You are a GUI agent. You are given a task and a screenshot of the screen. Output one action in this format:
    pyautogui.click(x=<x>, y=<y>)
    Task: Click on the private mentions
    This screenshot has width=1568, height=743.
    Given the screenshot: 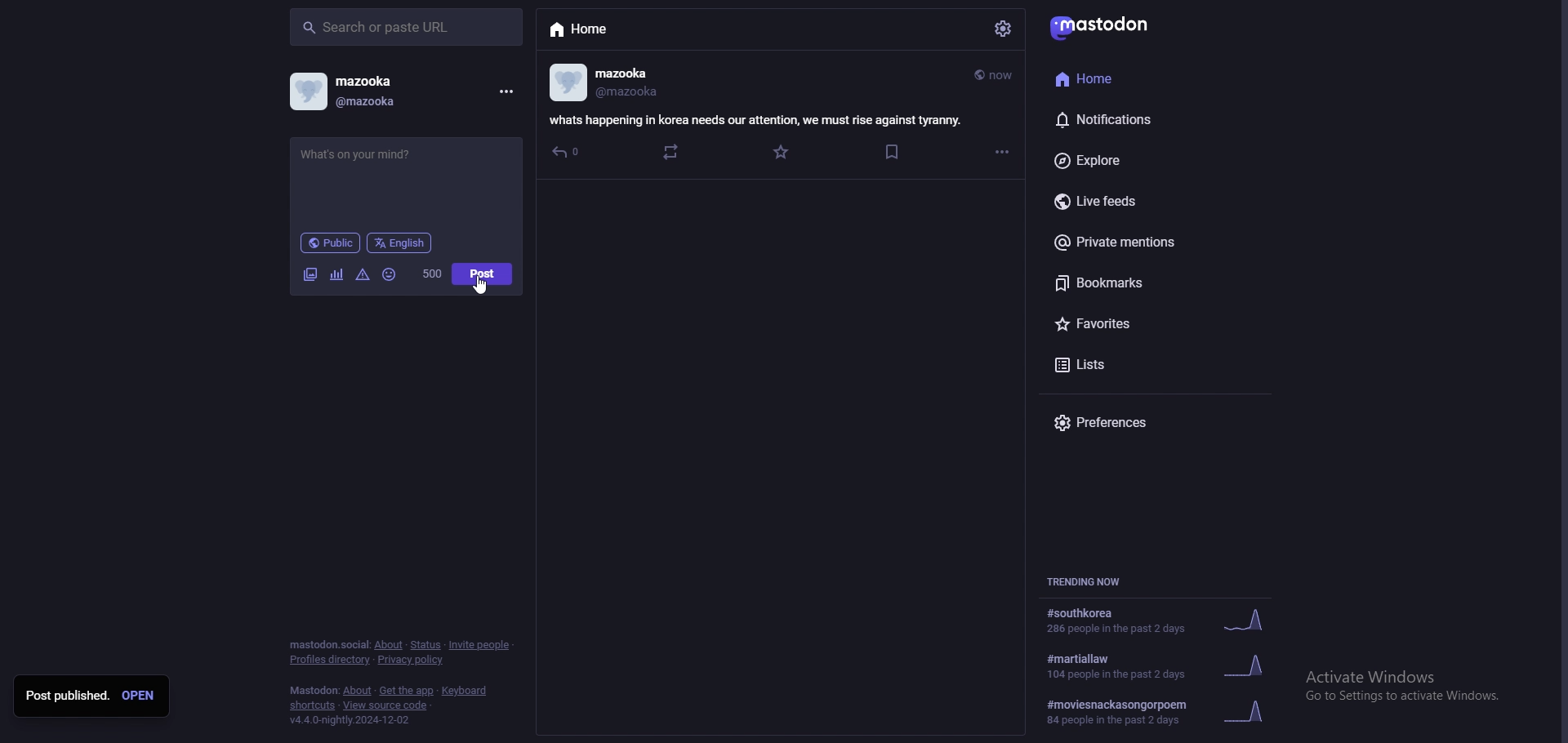 What is the action you would take?
    pyautogui.click(x=1147, y=245)
    